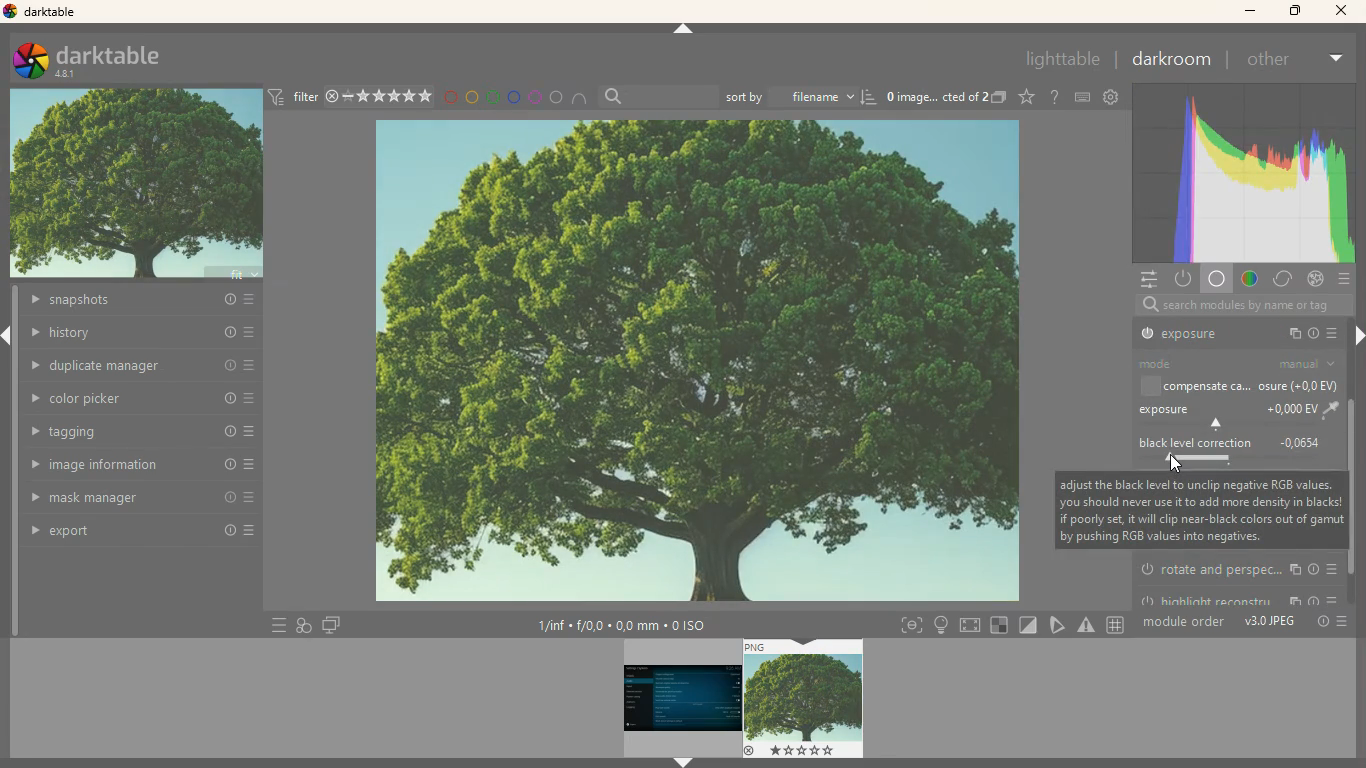 This screenshot has width=1366, height=768. What do you see at coordinates (1309, 364) in the screenshot?
I see `manual` at bounding box center [1309, 364].